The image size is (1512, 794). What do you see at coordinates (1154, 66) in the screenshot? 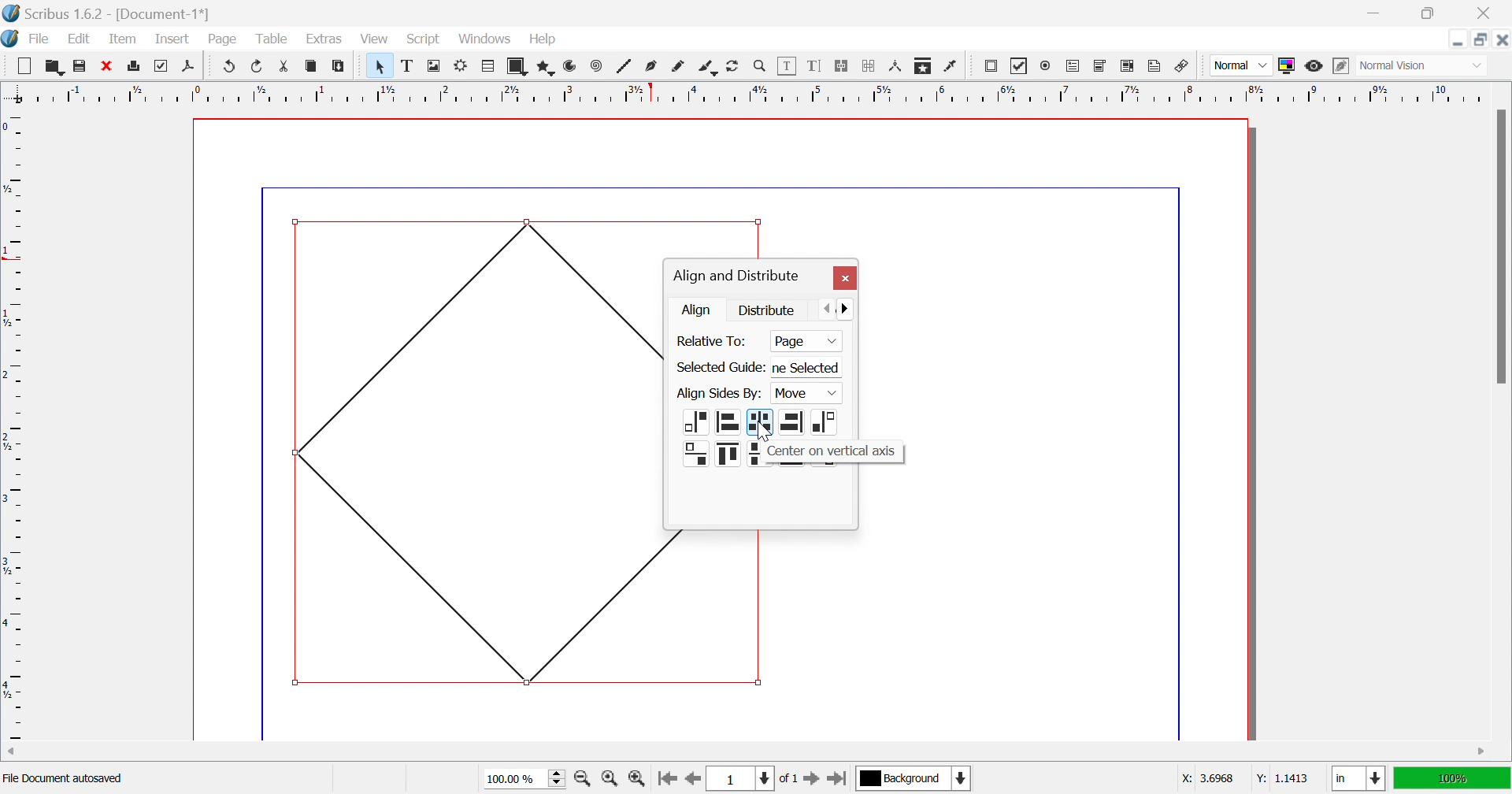
I see `Text annotation` at bounding box center [1154, 66].